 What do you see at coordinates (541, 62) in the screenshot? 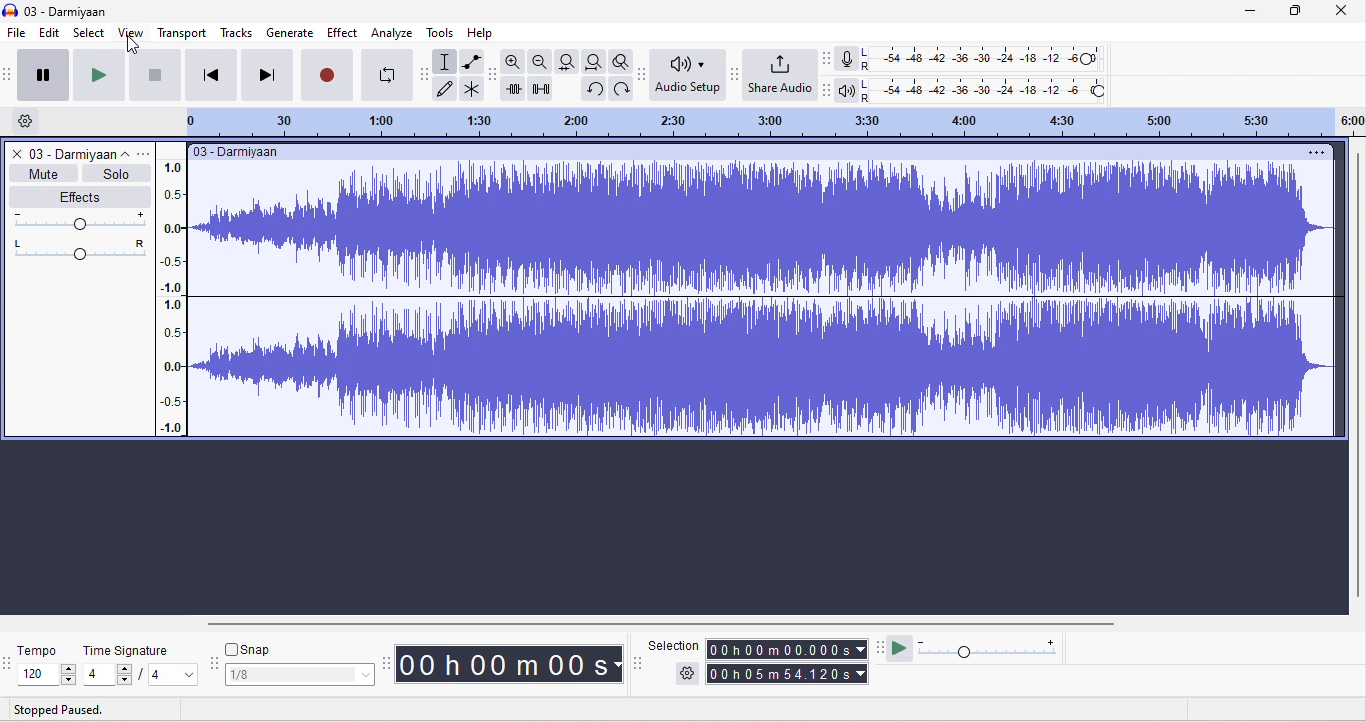
I see `zoom out` at bounding box center [541, 62].